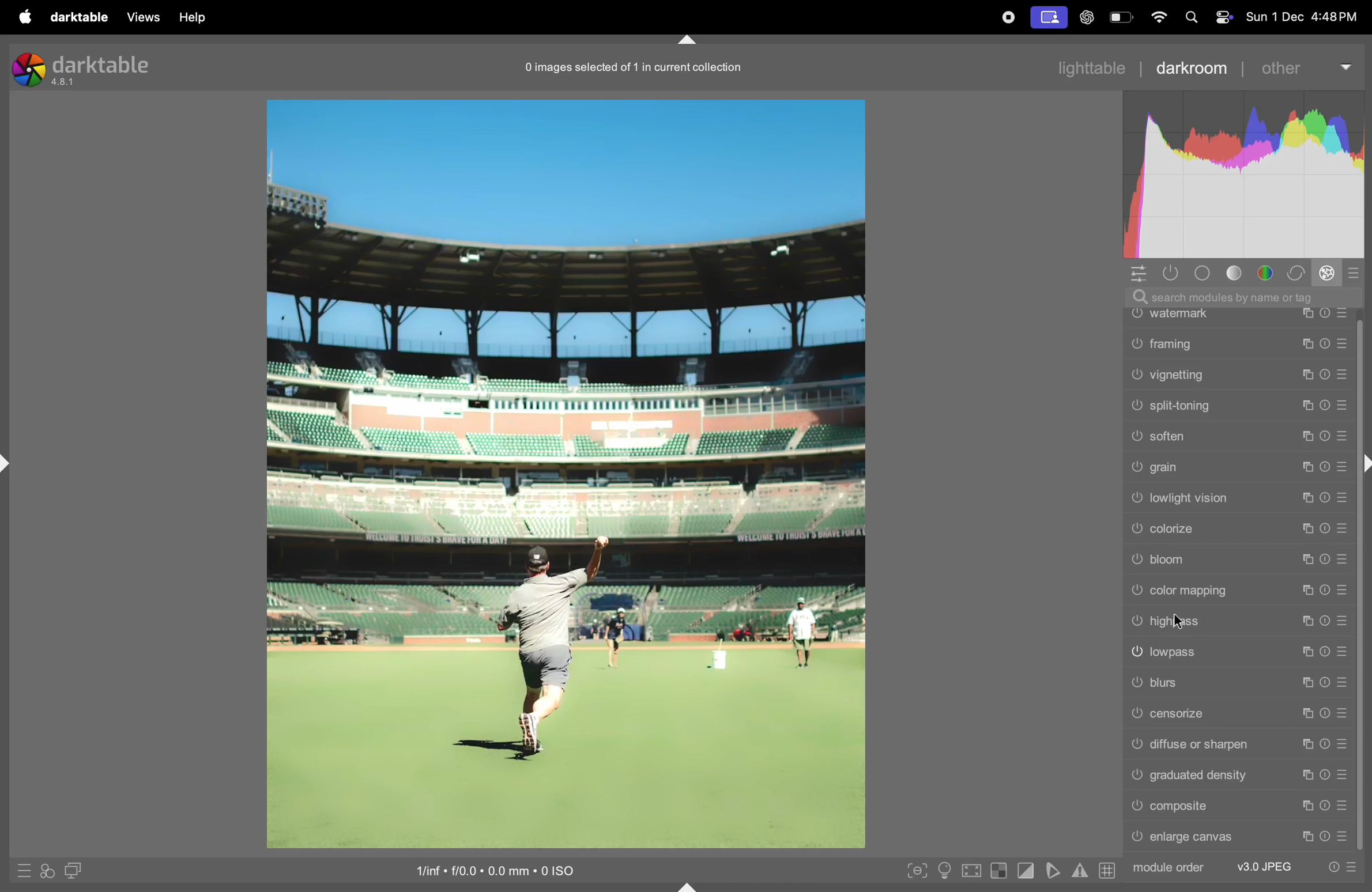  Describe the element at coordinates (1236, 743) in the screenshot. I see `difuse shapen` at that location.